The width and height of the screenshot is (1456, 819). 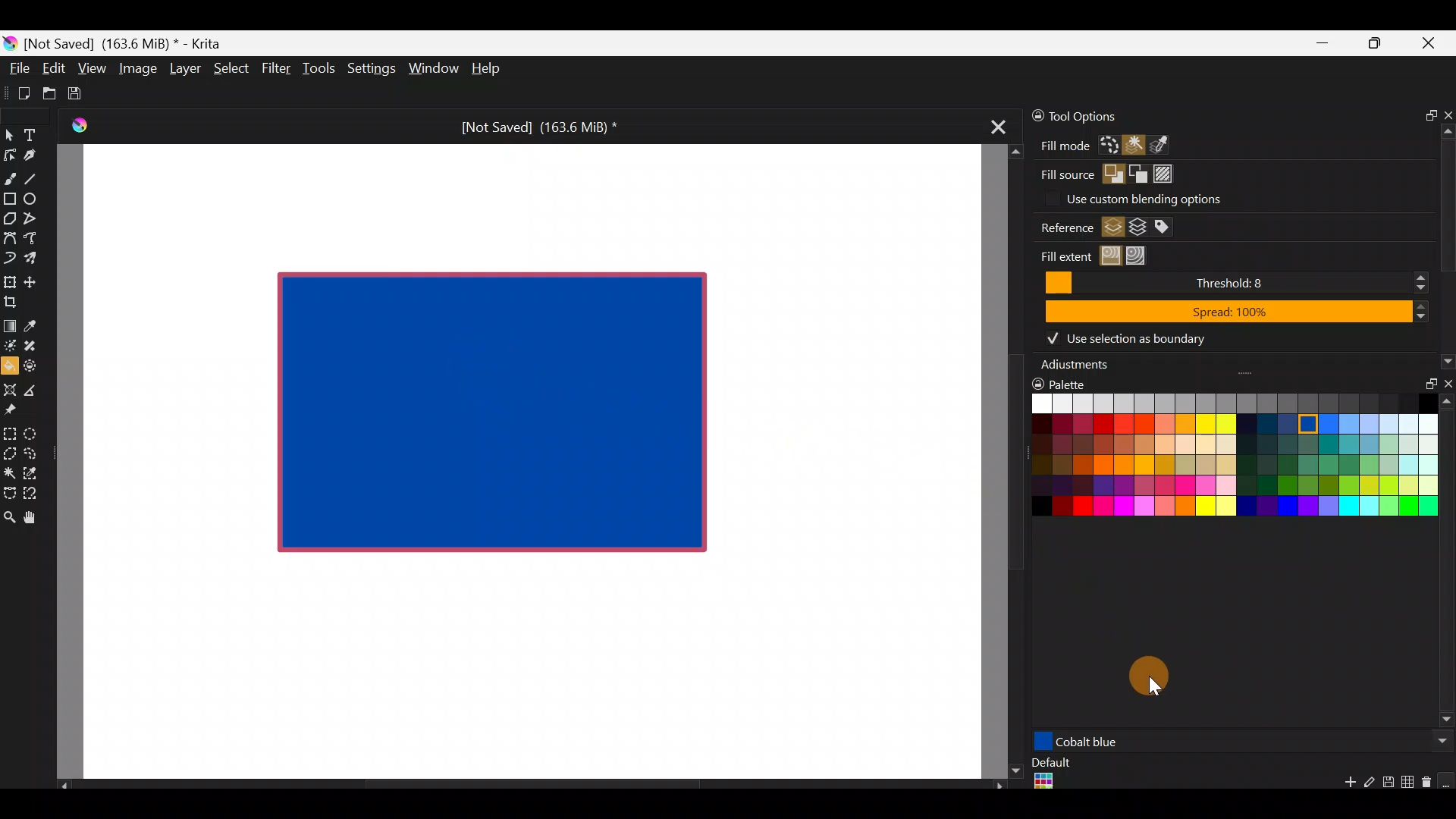 I want to click on [Not Saved] (163.6 MiB) * - Krita, so click(x=132, y=44).